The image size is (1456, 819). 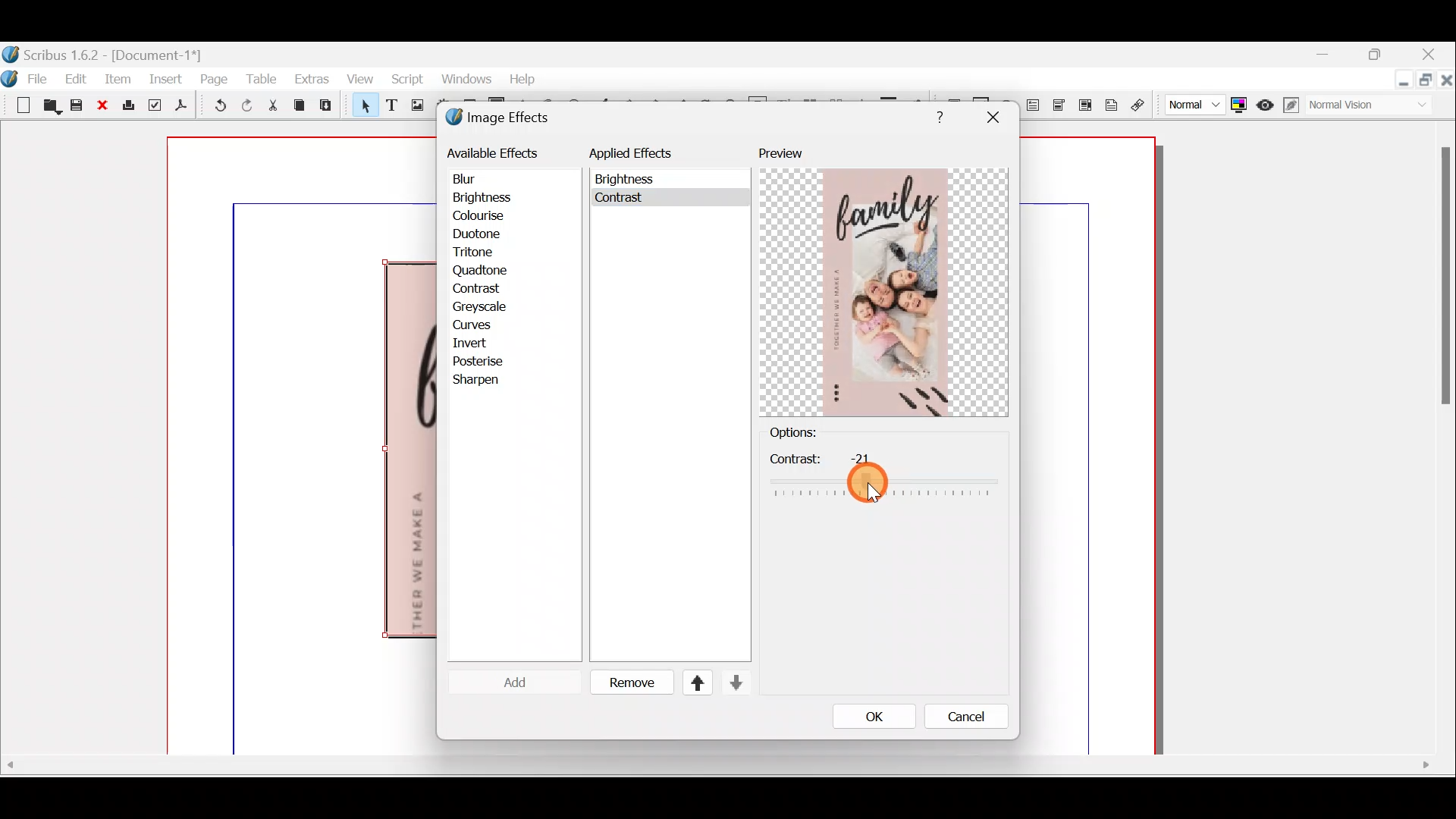 What do you see at coordinates (622, 201) in the screenshot?
I see `` at bounding box center [622, 201].